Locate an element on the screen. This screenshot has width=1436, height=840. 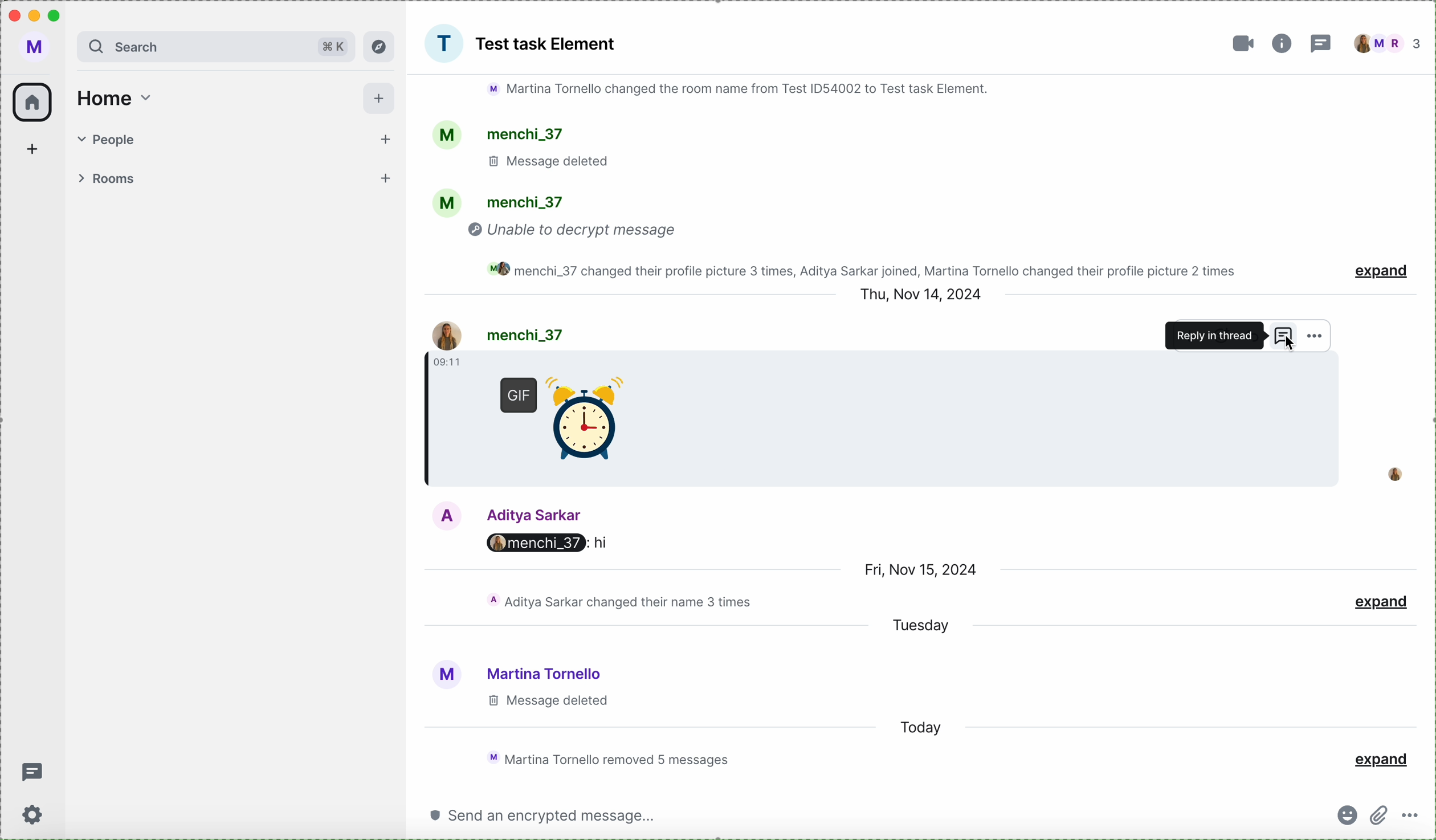
cursor is located at coordinates (1287, 350).